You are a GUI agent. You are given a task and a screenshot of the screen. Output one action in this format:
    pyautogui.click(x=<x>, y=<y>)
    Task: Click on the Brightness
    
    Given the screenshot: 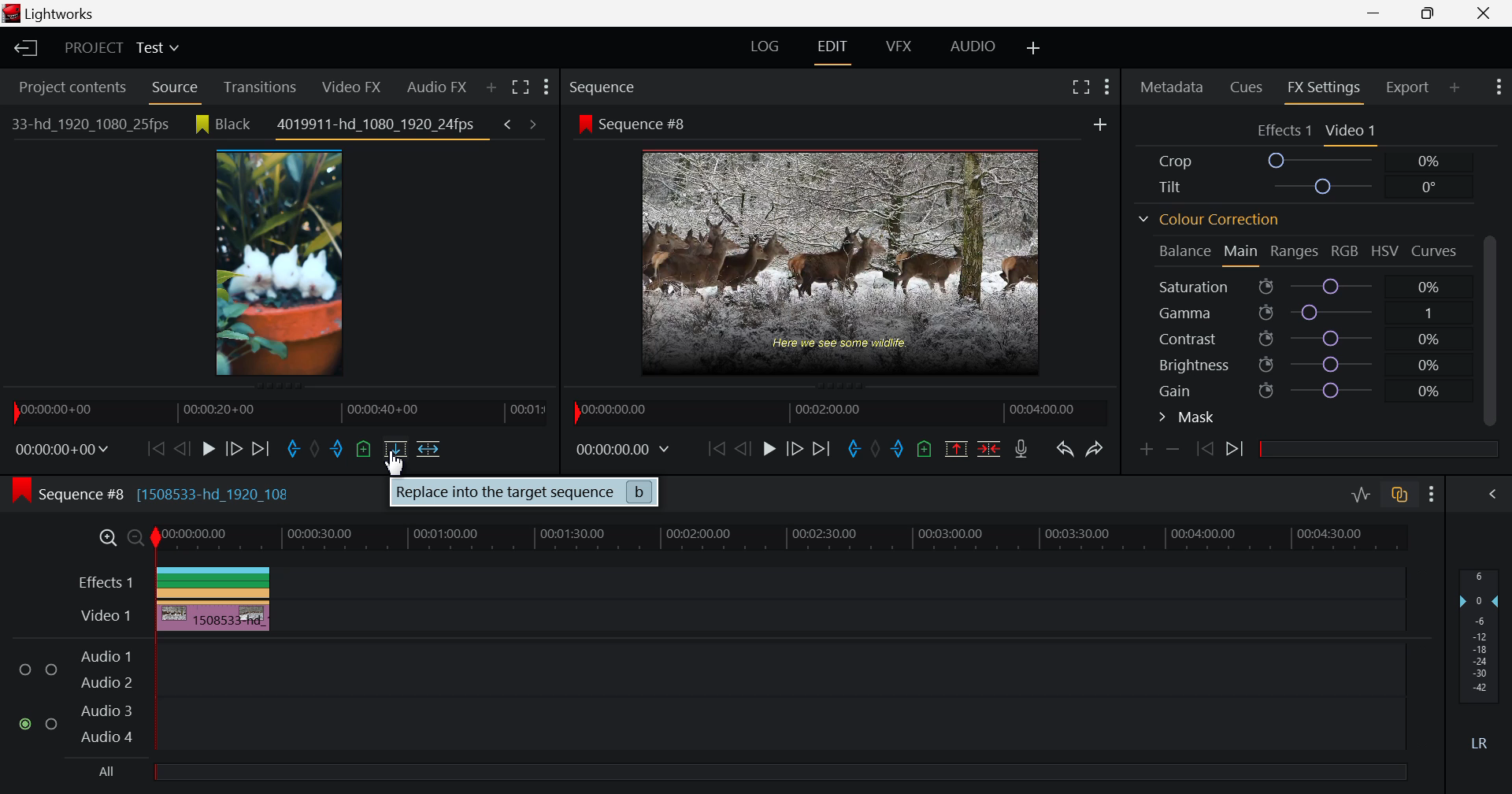 What is the action you would take?
    pyautogui.click(x=1304, y=363)
    